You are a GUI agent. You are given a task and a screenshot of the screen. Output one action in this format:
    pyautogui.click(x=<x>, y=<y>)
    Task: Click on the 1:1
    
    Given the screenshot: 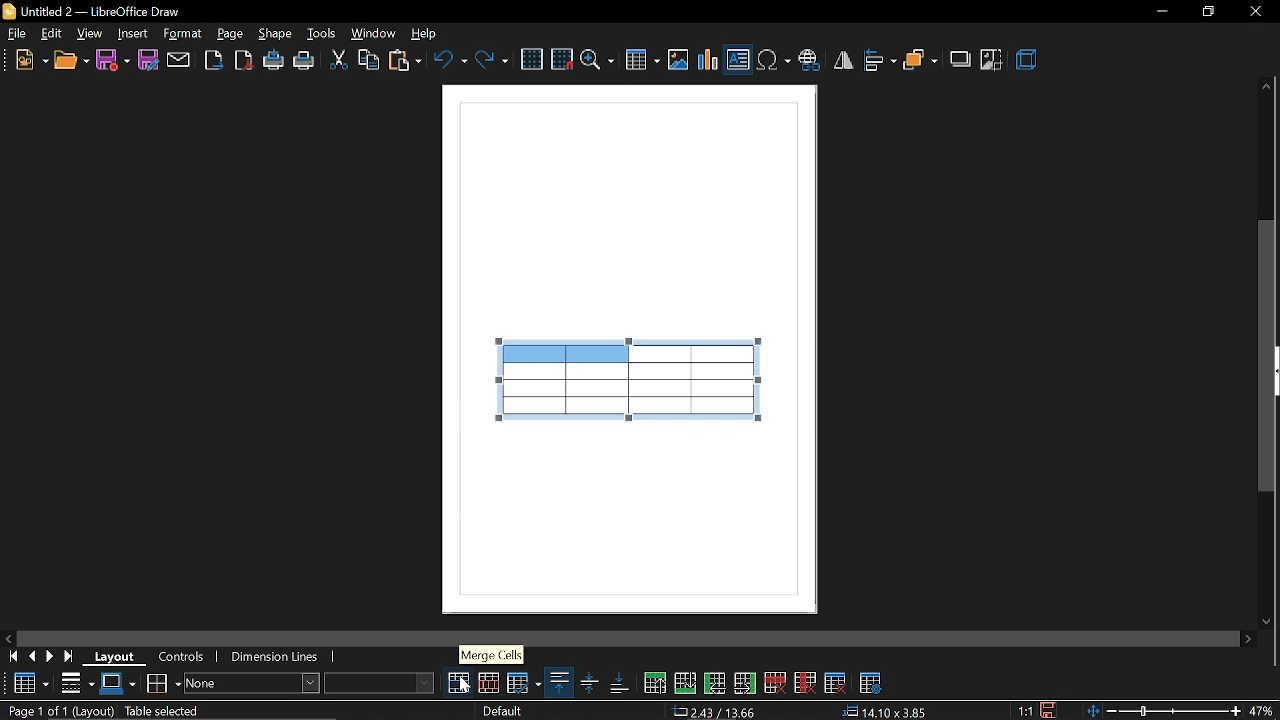 What is the action you would take?
    pyautogui.click(x=1024, y=711)
    